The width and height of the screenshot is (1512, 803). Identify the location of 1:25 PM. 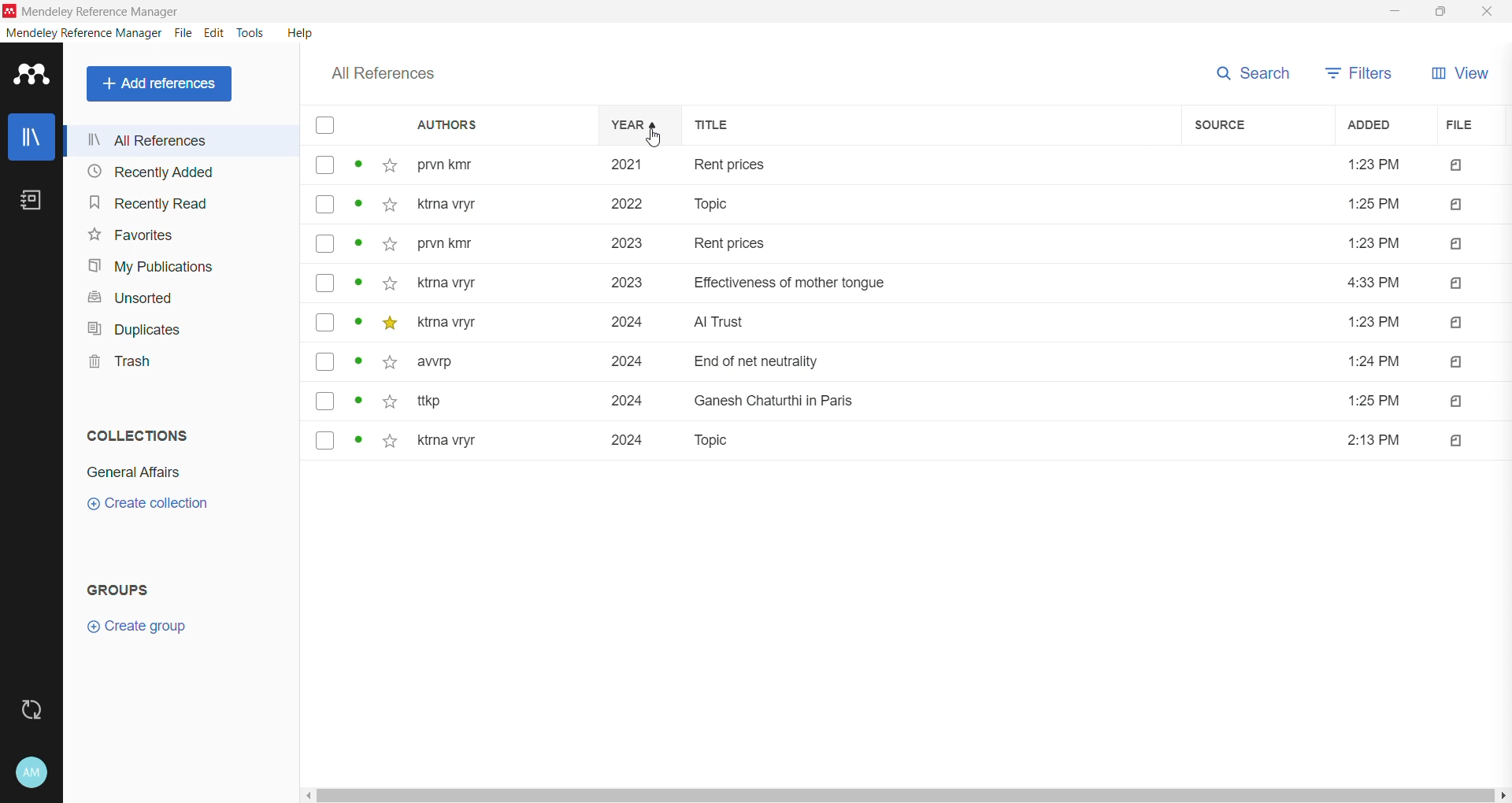
(1373, 203).